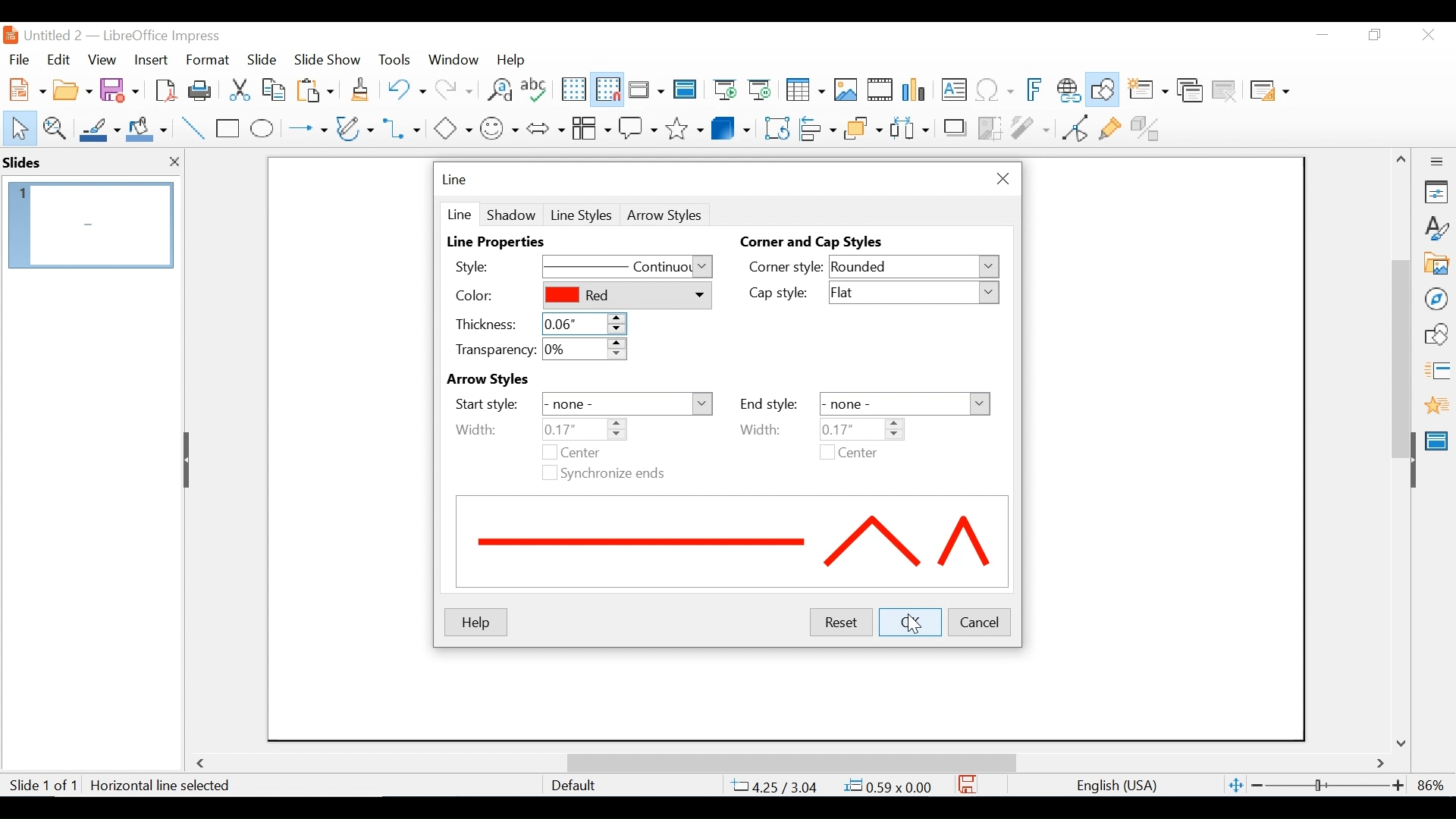  What do you see at coordinates (790, 762) in the screenshot?
I see `Horizontal Scrollbar` at bounding box center [790, 762].